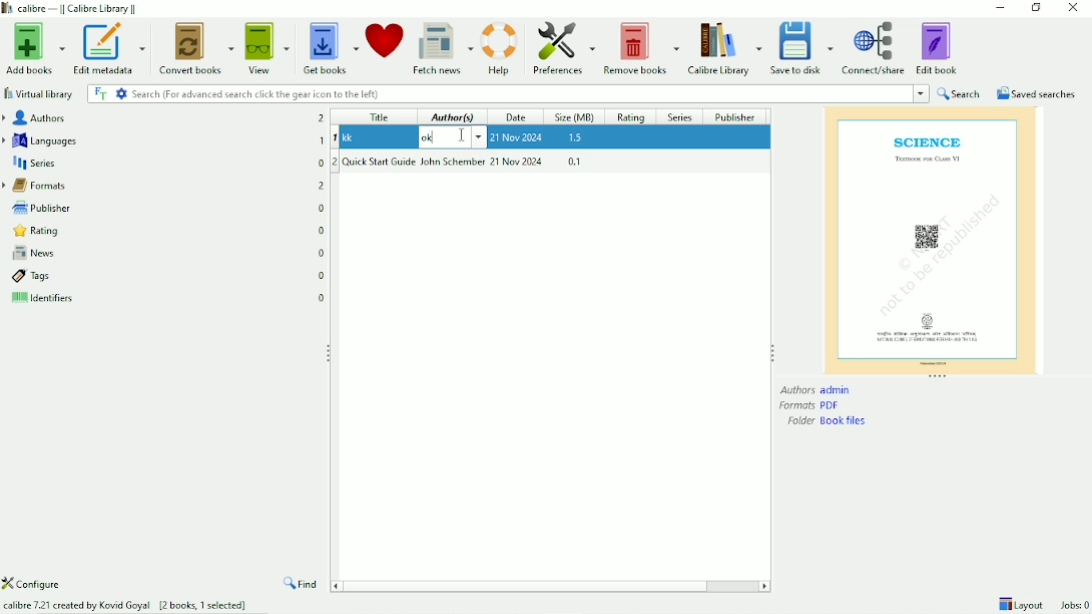 The width and height of the screenshot is (1092, 614). I want to click on Remove books, so click(641, 49).